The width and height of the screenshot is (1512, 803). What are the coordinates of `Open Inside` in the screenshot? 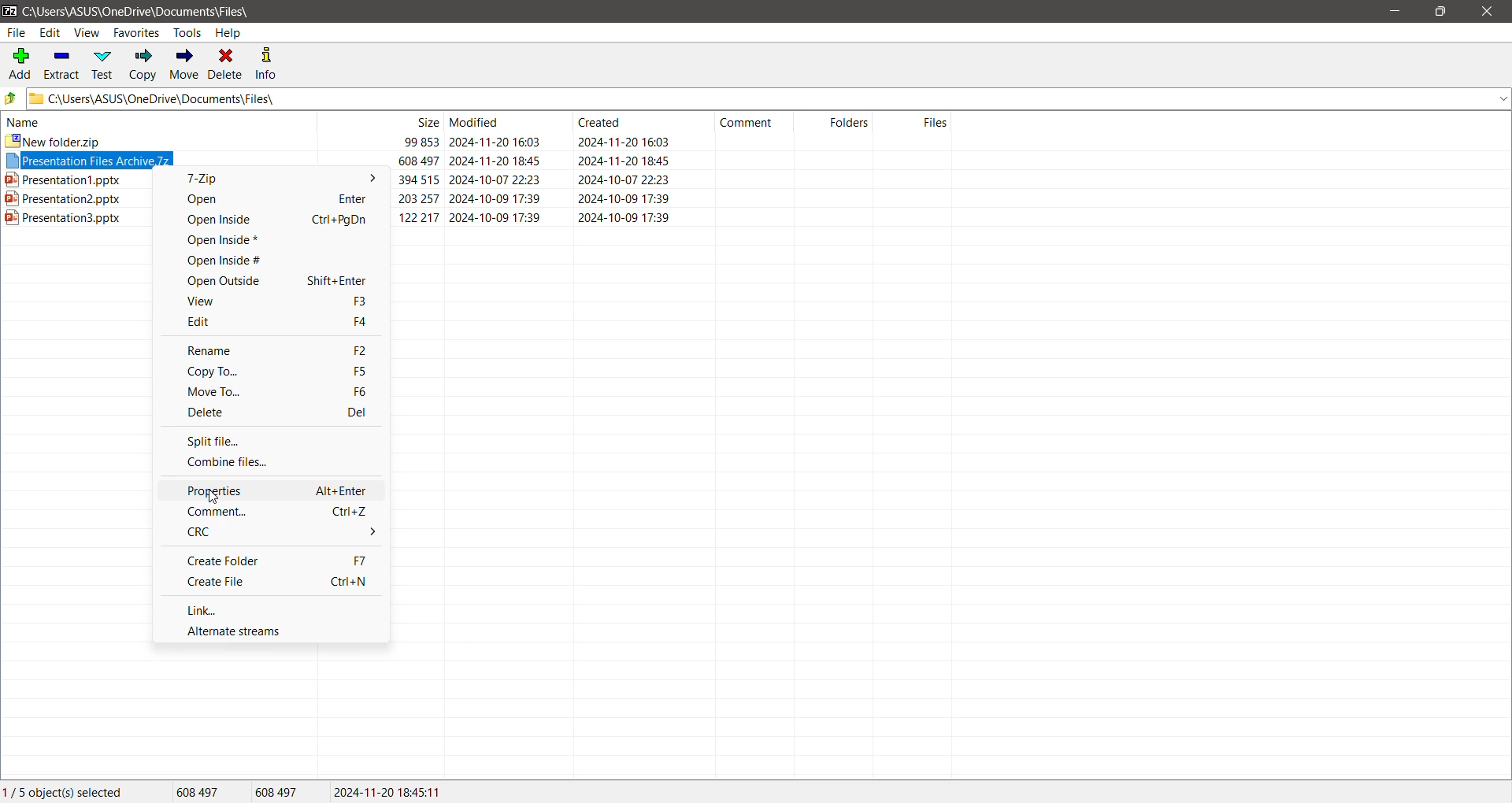 It's located at (228, 220).